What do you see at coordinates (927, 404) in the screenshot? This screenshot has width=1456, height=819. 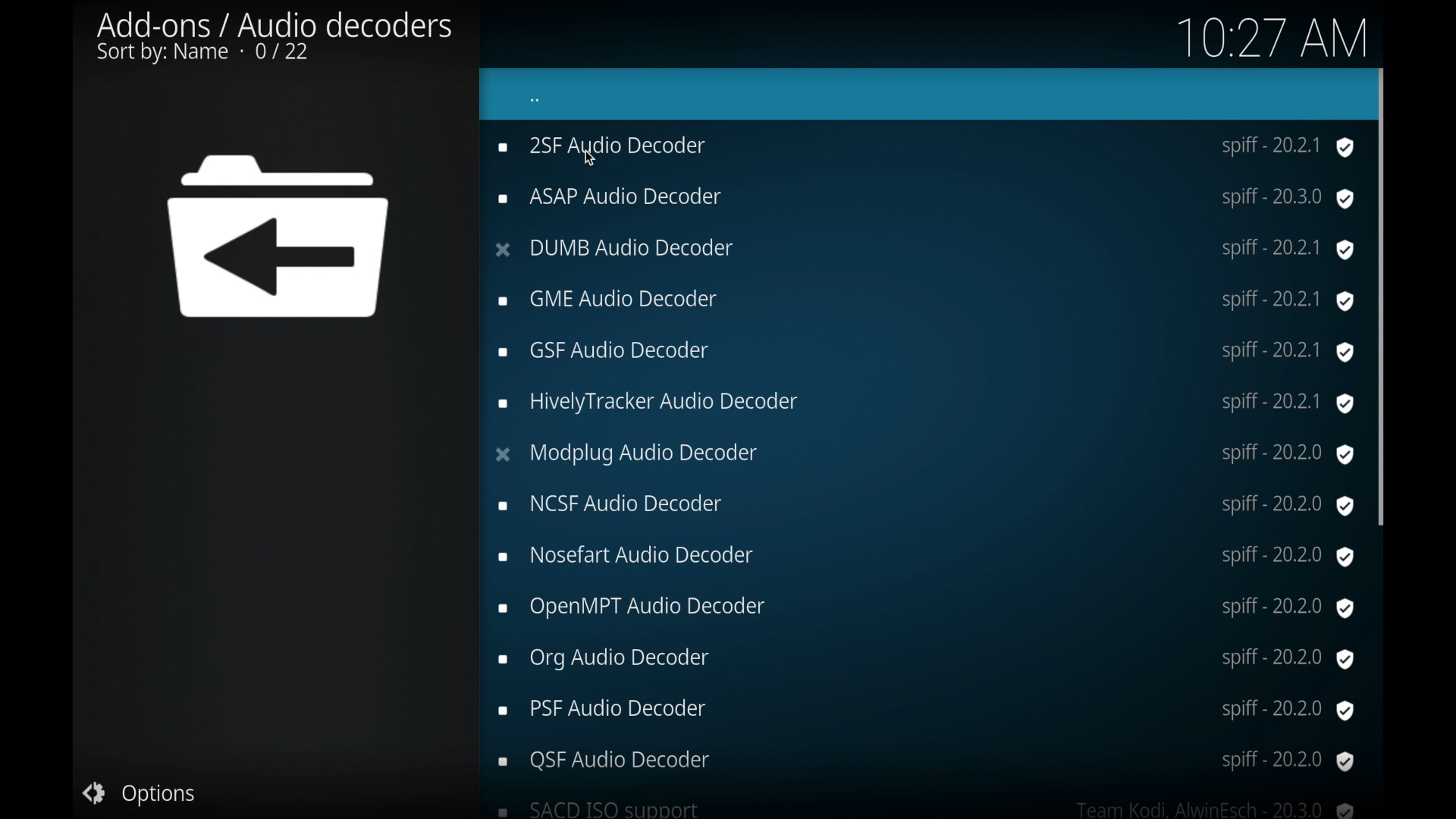 I see `hivelytracker audio decoder` at bounding box center [927, 404].